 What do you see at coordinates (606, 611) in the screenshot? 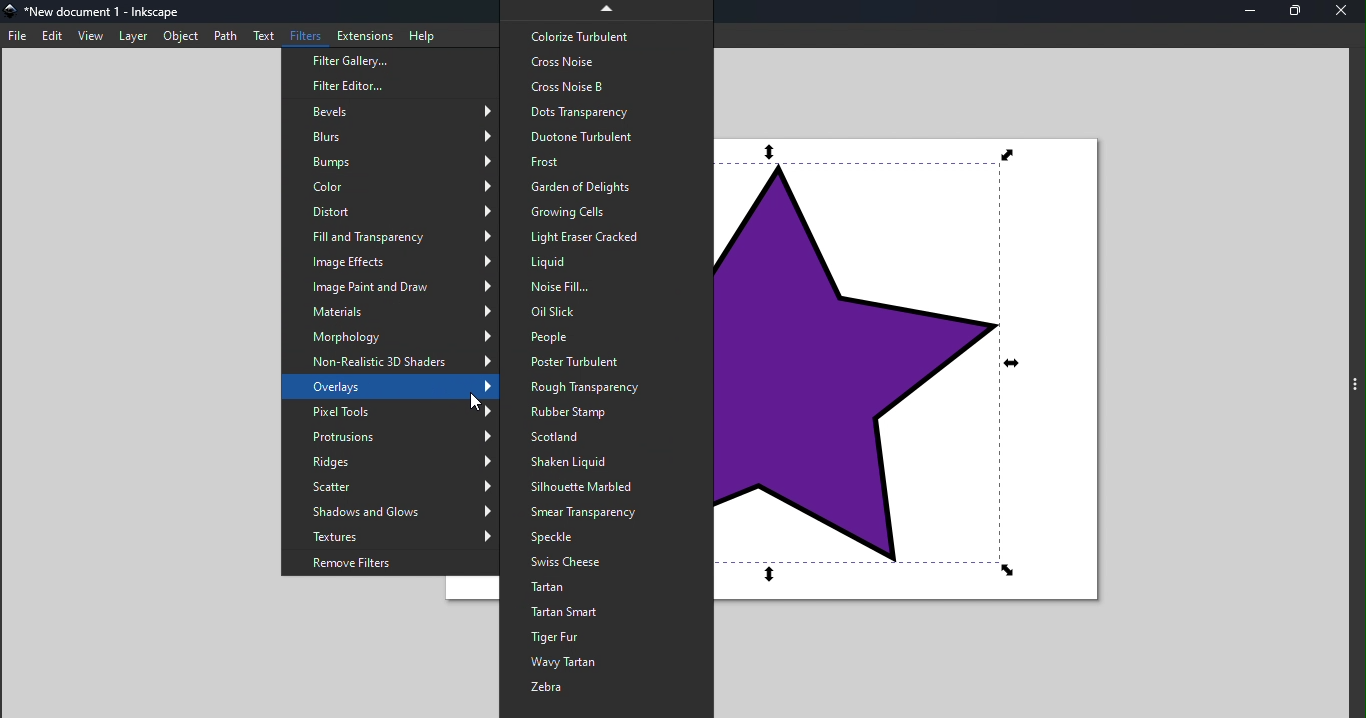
I see `Tartan smart` at bounding box center [606, 611].